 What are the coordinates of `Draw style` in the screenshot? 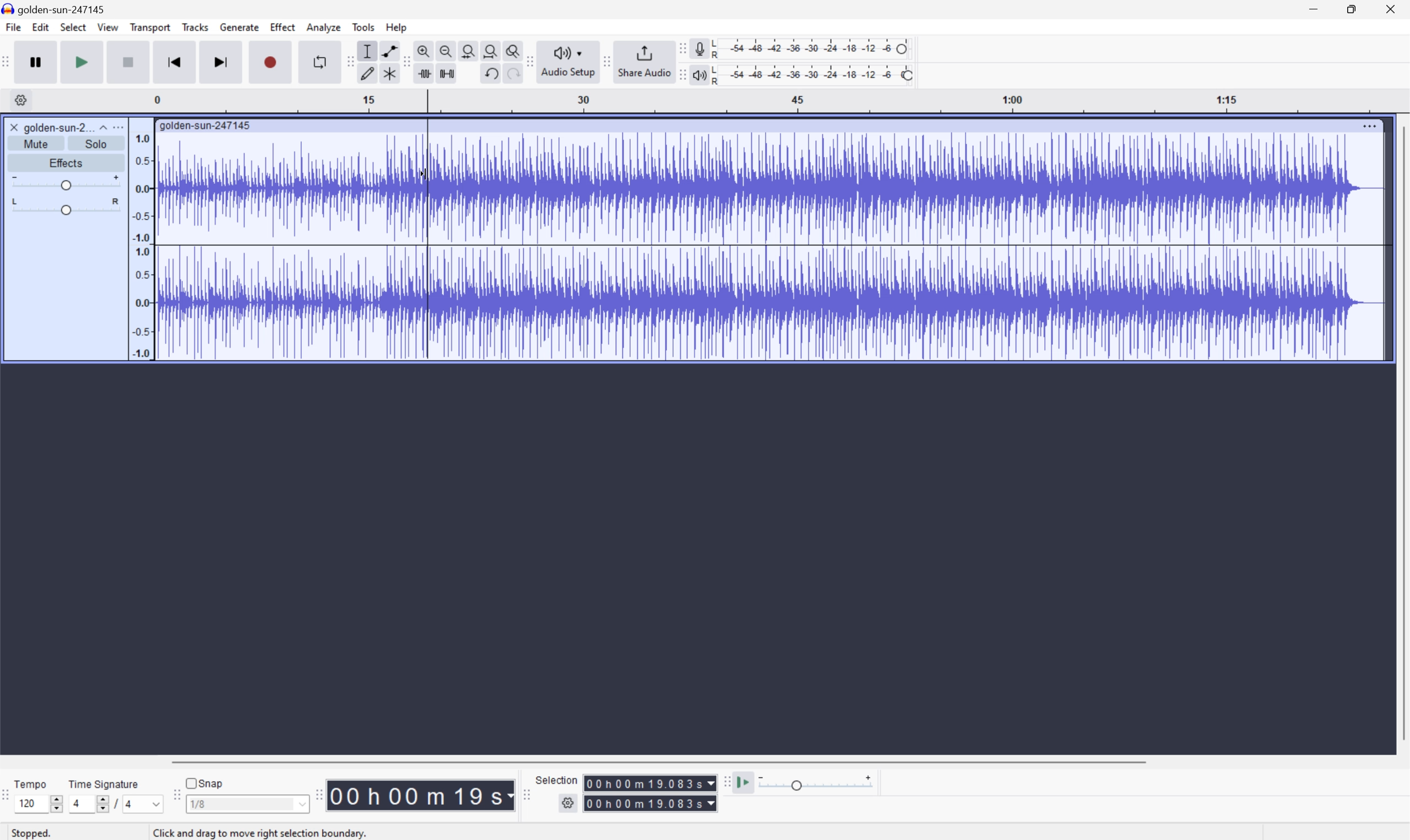 It's located at (369, 72).